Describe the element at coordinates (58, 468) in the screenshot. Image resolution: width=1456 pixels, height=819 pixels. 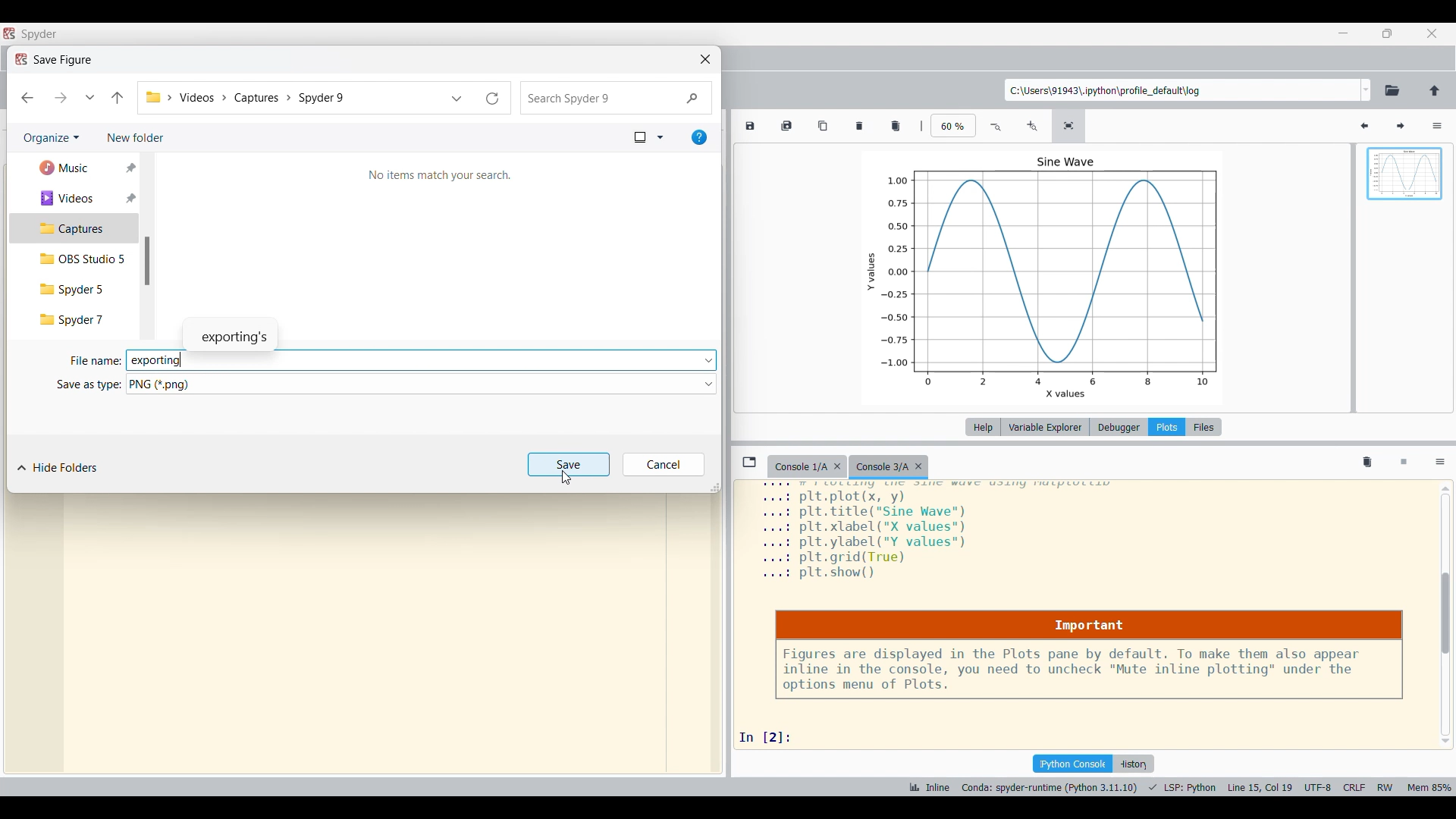
I see `Hide folders` at that location.